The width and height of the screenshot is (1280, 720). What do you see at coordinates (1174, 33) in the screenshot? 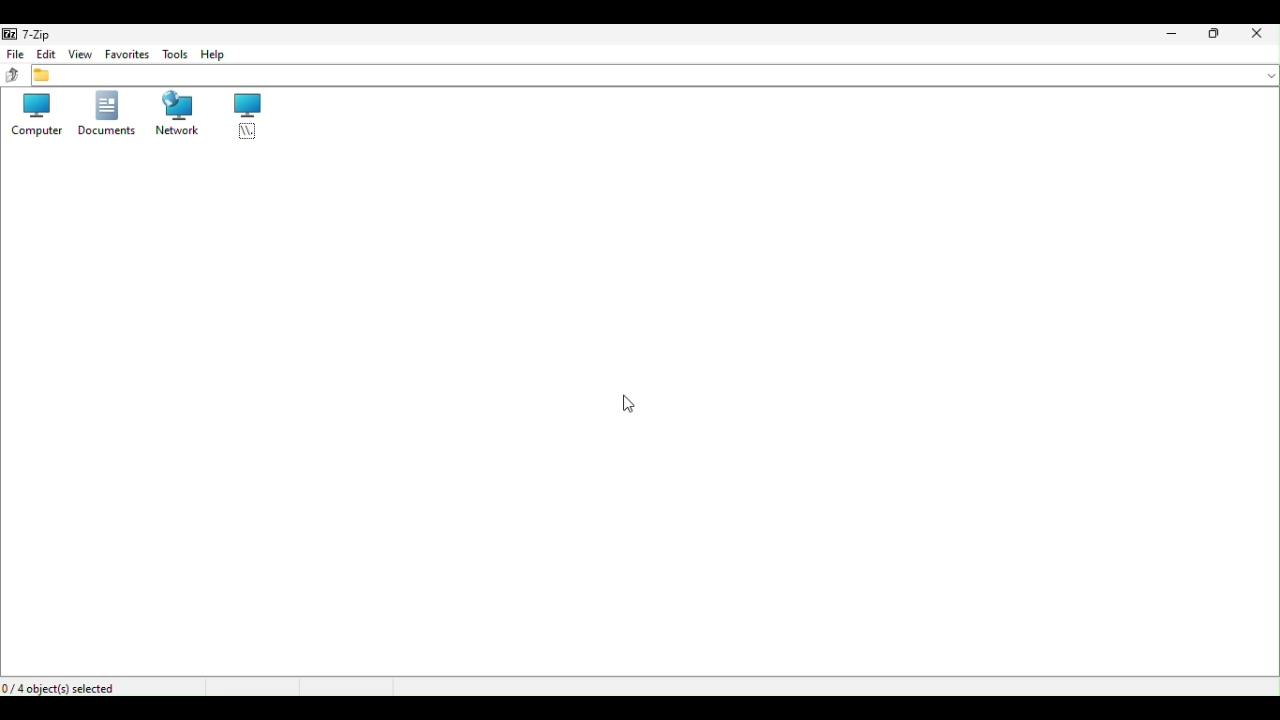
I see `Minimize` at bounding box center [1174, 33].